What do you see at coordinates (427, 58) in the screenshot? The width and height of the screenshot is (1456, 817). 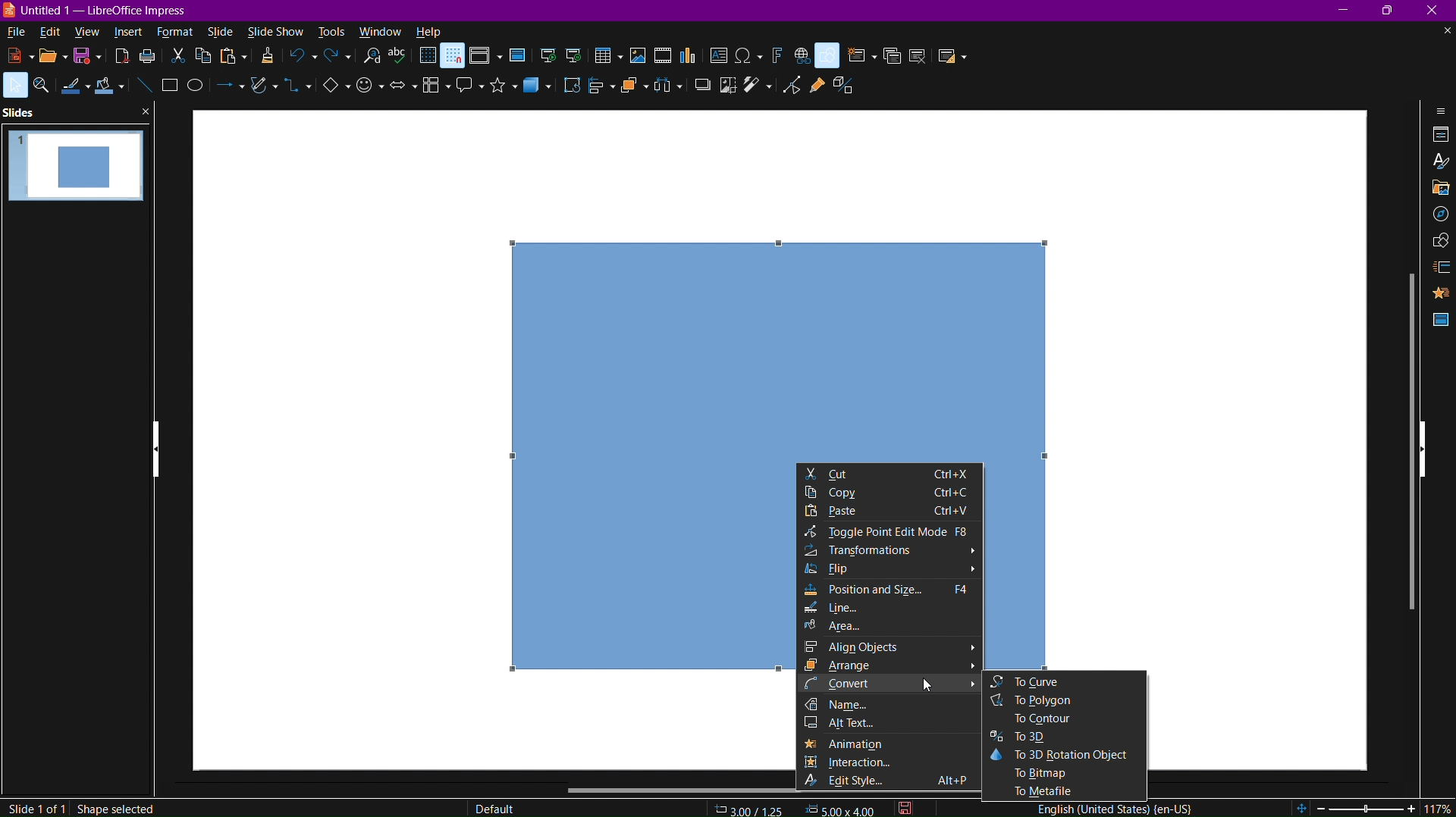 I see `Display Grid` at bounding box center [427, 58].